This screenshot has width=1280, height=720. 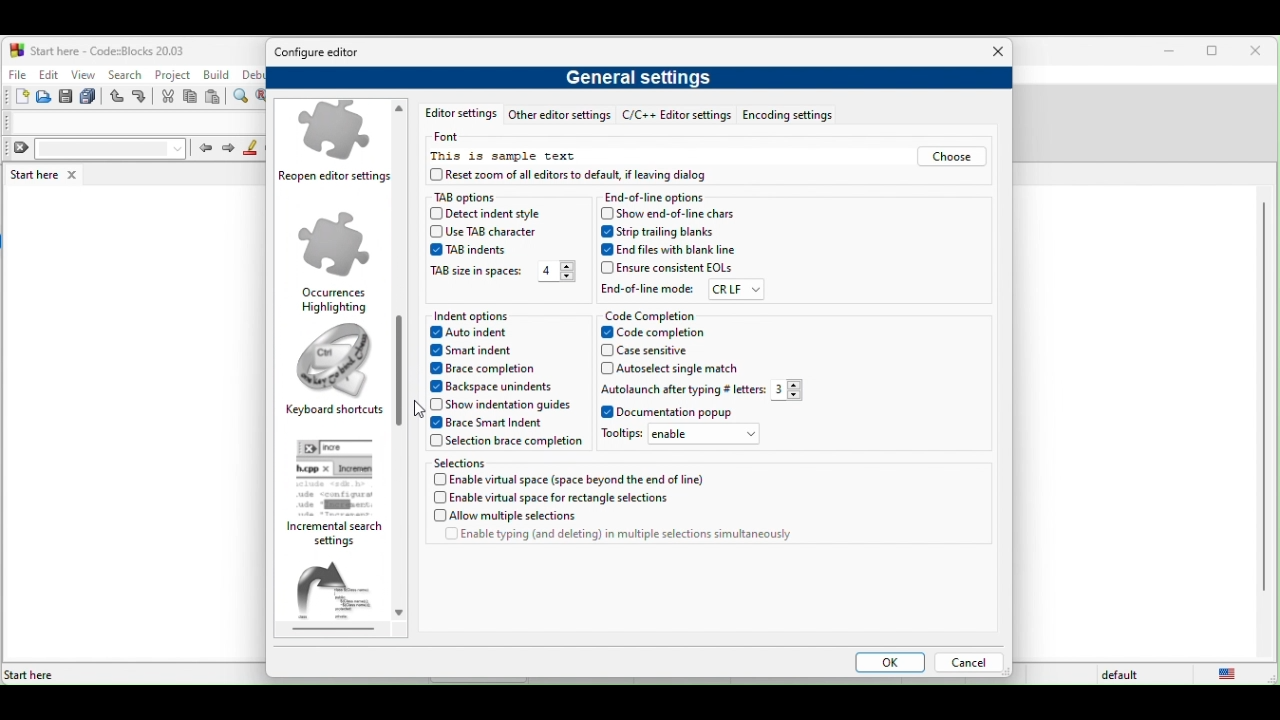 I want to click on ensure consistent eols, so click(x=667, y=268).